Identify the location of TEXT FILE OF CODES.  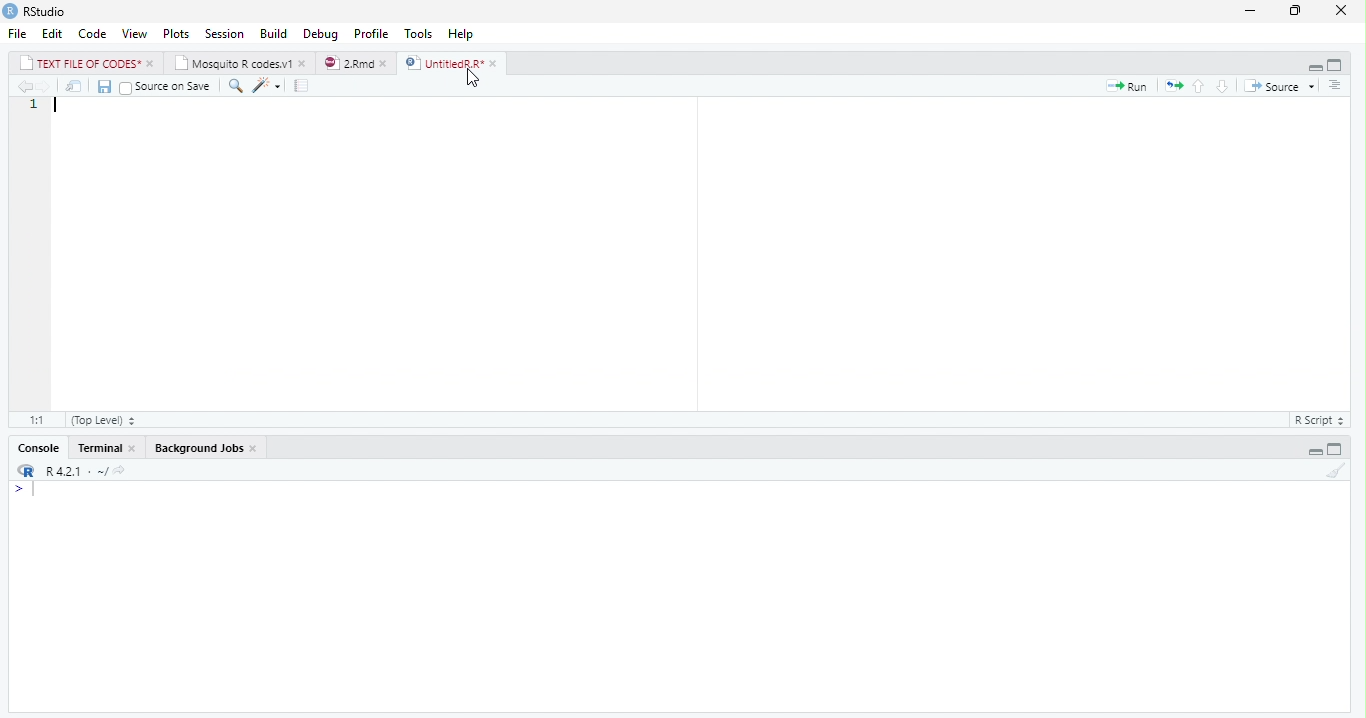
(82, 65).